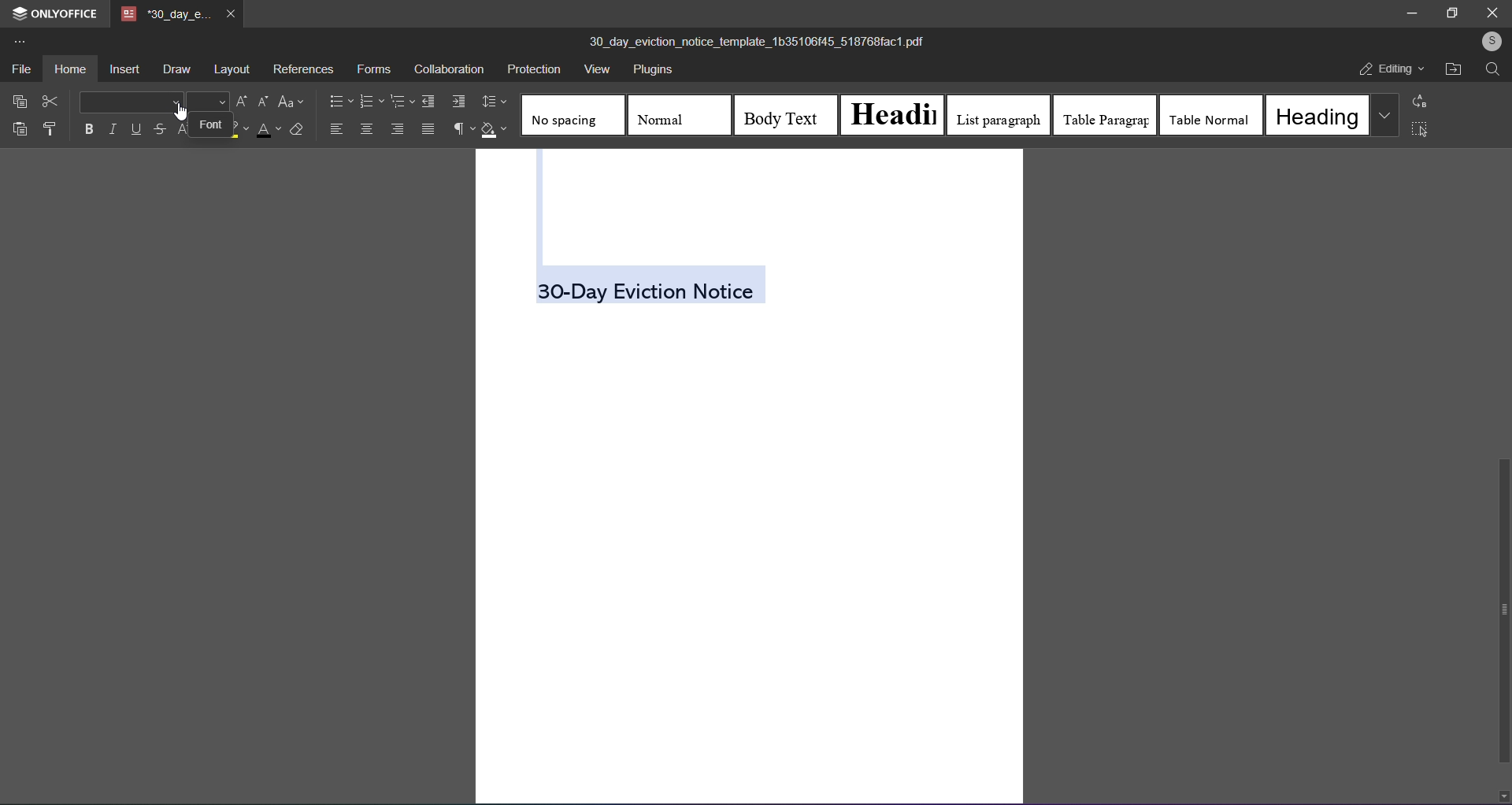 The image size is (1512, 805). Describe the element at coordinates (1392, 69) in the screenshot. I see `editing` at that location.